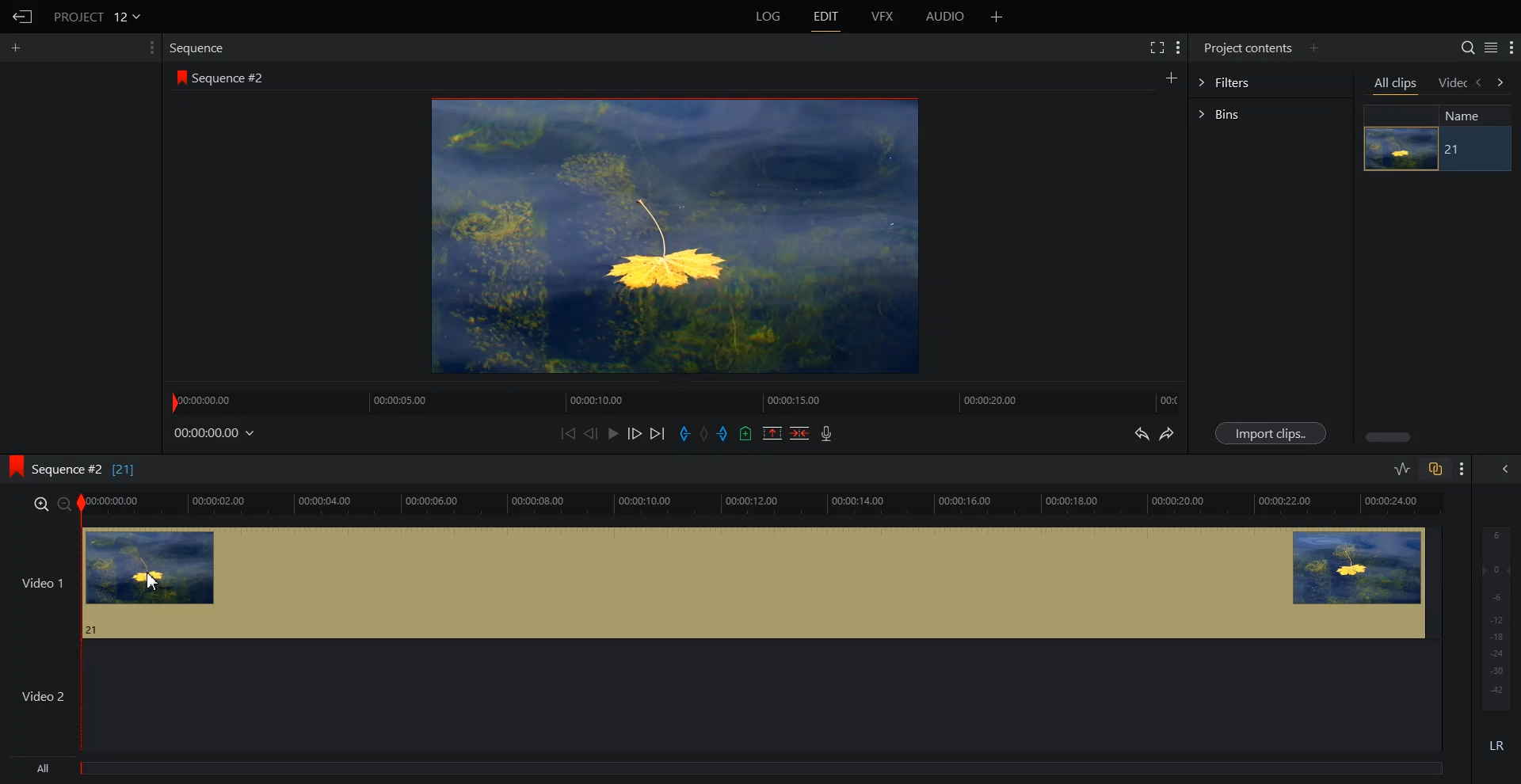  I want to click on Create New Sequence, so click(1173, 77).